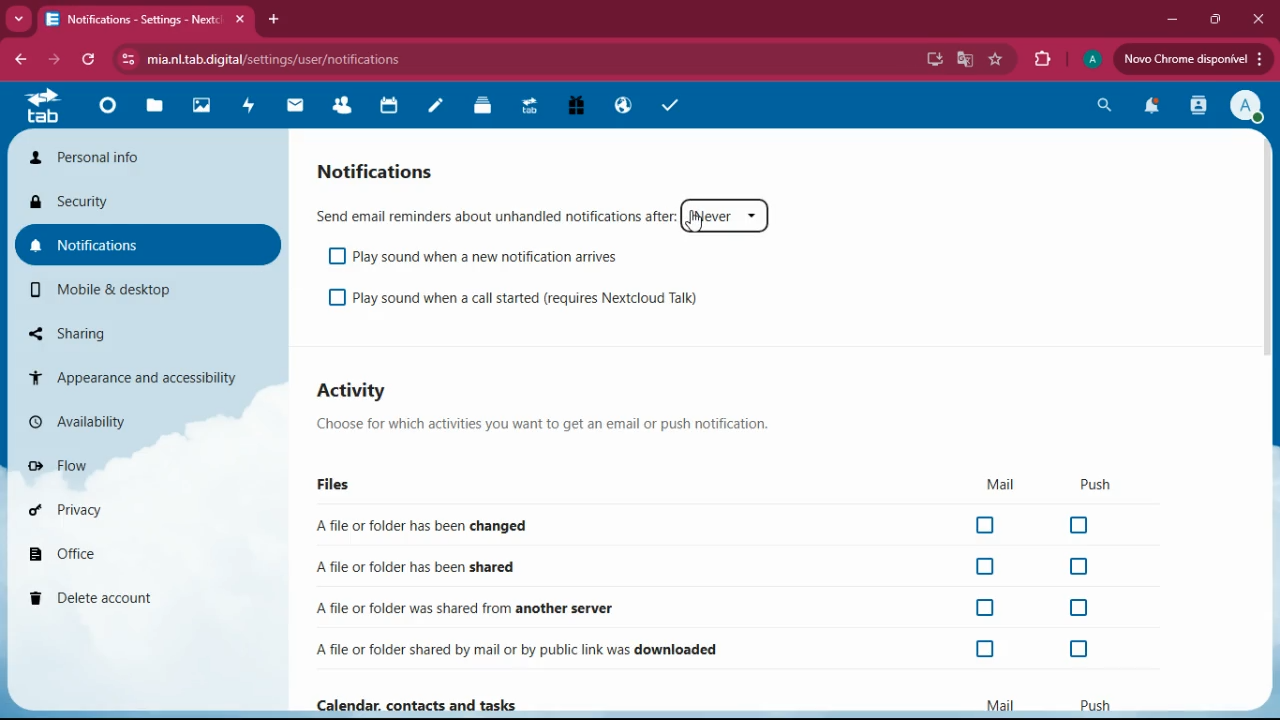 Image resolution: width=1280 pixels, height=720 pixels. Describe the element at coordinates (298, 106) in the screenshot. I see `mail` at that location.